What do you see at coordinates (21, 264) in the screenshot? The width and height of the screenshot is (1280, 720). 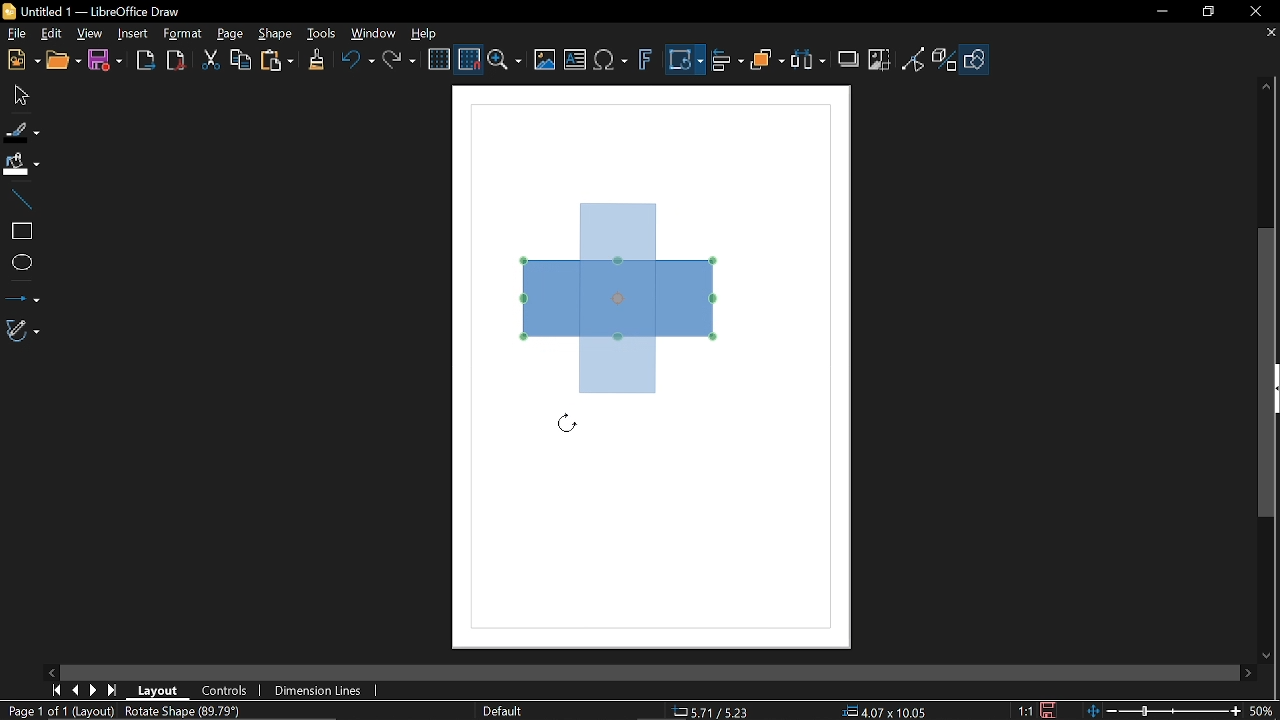 I see `Ellipse` at bounding box center [21, 264].